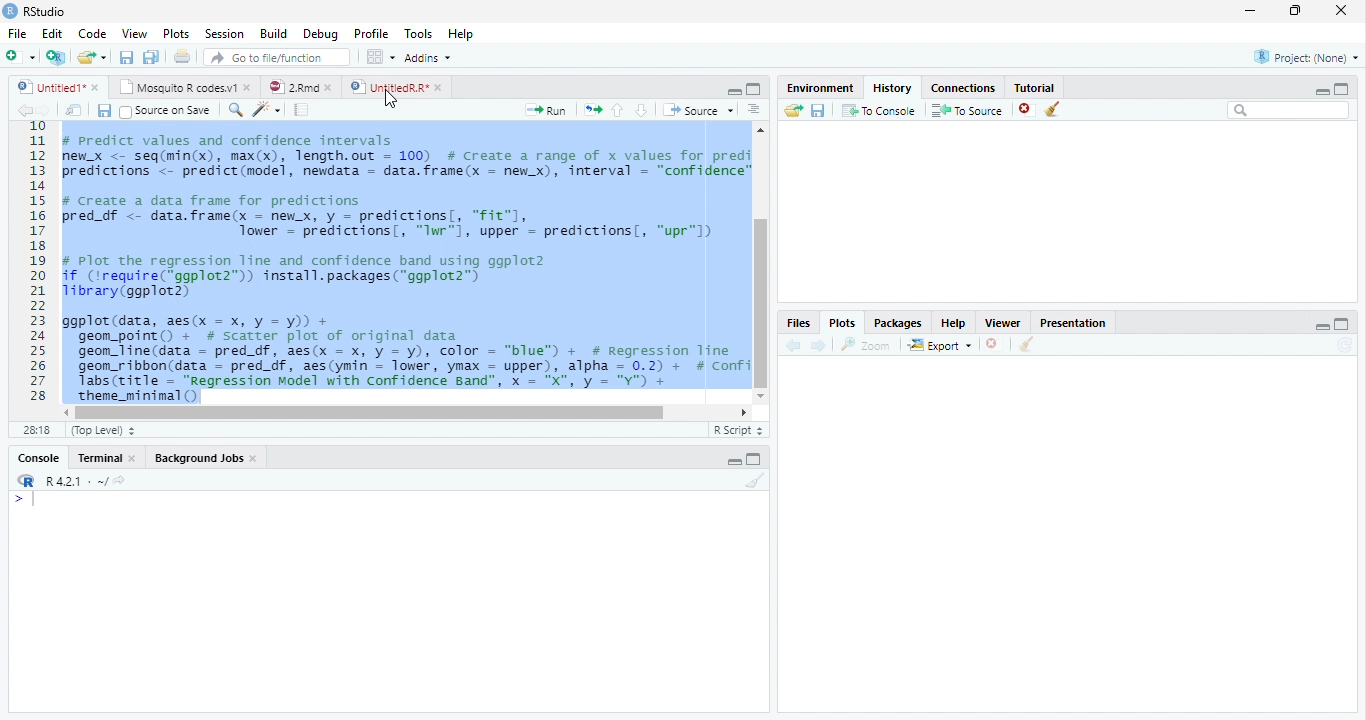  What do you see at coordinates (183, 58) in the screenshot?
I see `Print` at bounding box center [183, 58].